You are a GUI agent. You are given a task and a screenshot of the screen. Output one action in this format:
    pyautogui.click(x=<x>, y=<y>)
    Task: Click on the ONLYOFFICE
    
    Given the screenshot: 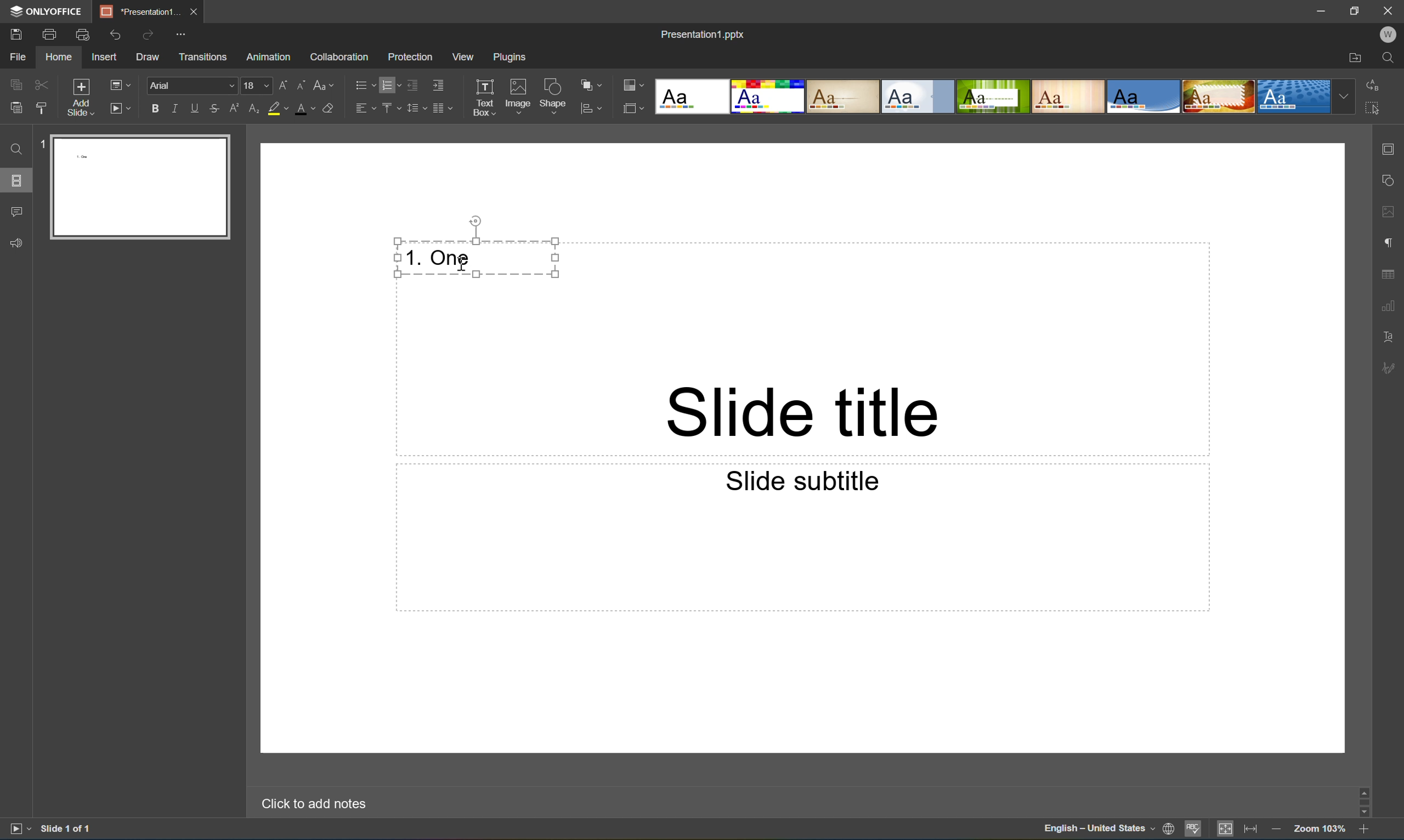 What is the action you would take?
    pyautogui.click(x=49, y=12)
    